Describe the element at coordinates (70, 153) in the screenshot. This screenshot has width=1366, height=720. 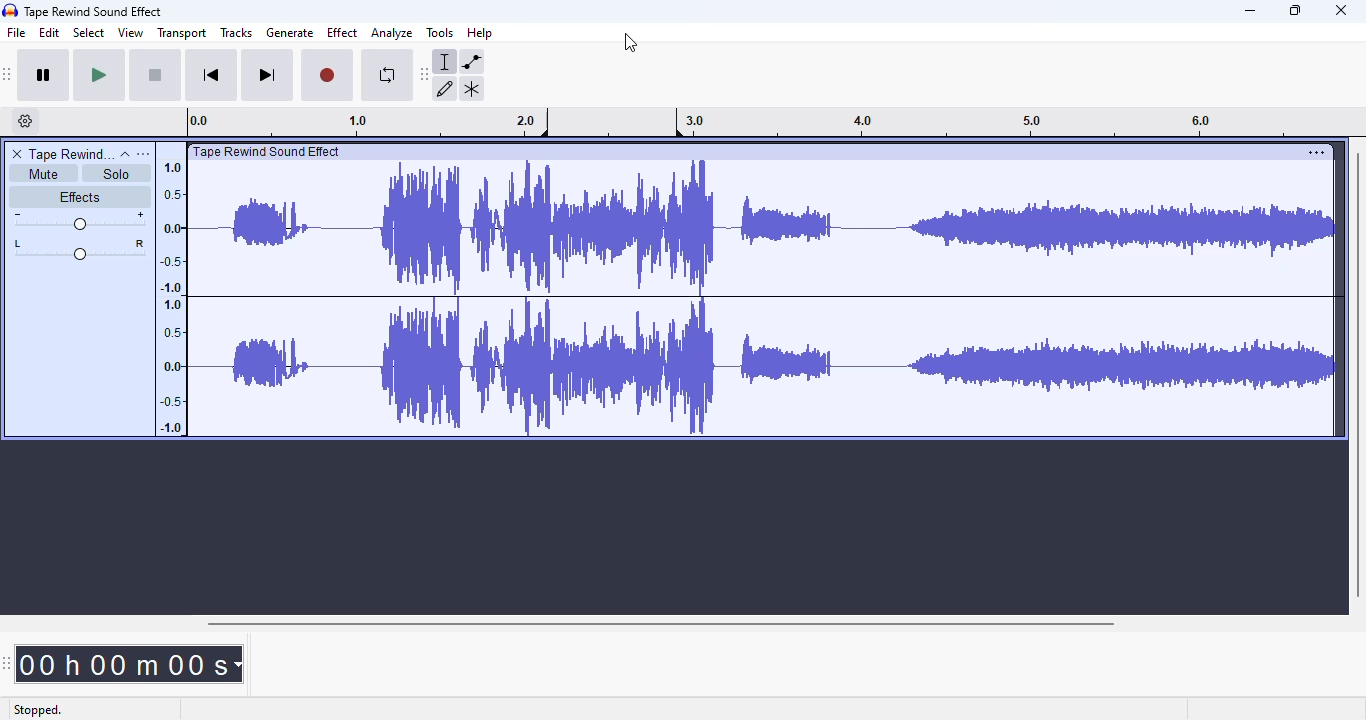
I see `tape rewind sound effect` at that location.